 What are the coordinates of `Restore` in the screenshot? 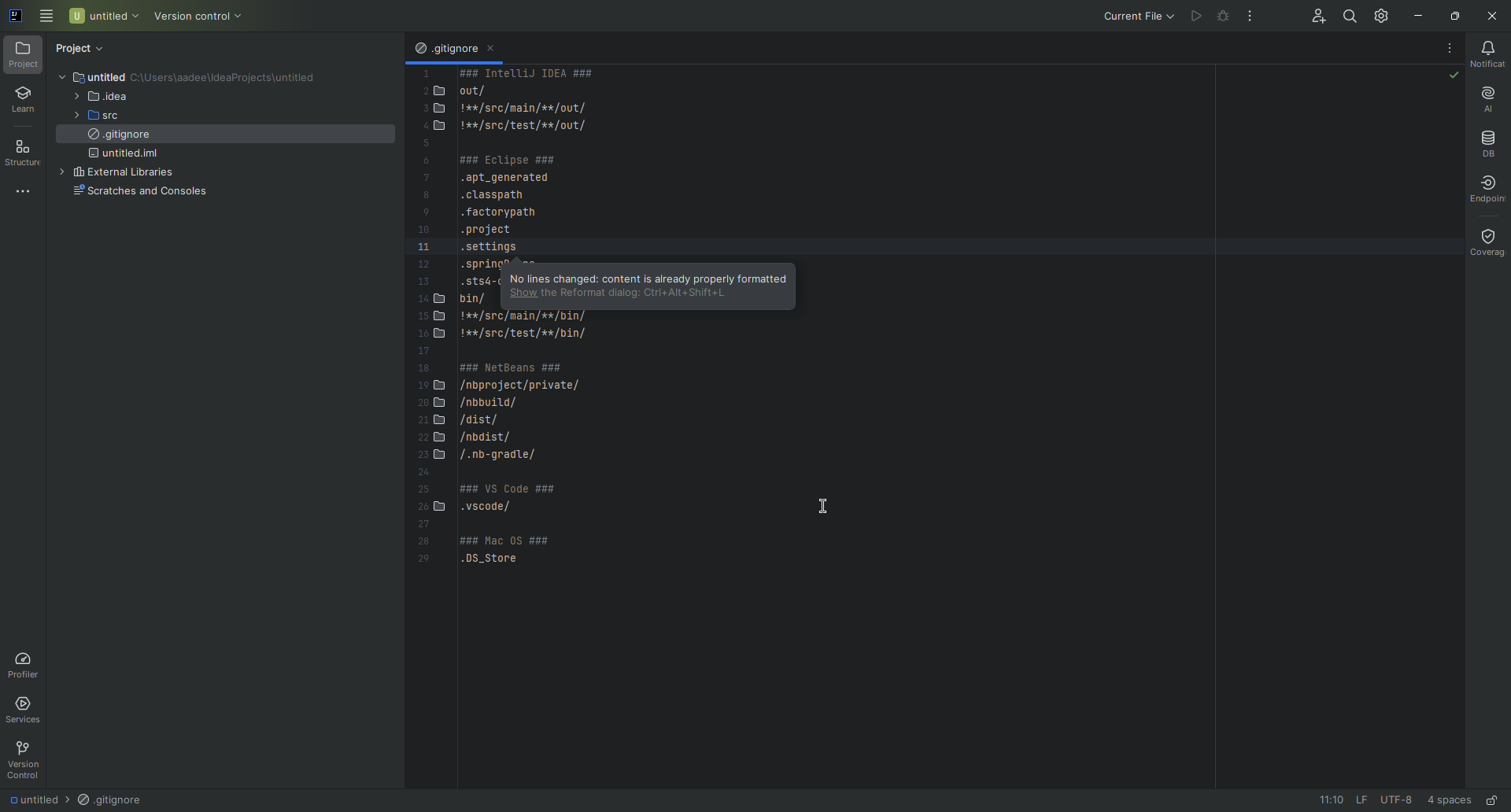 It's located at (1454, 14).